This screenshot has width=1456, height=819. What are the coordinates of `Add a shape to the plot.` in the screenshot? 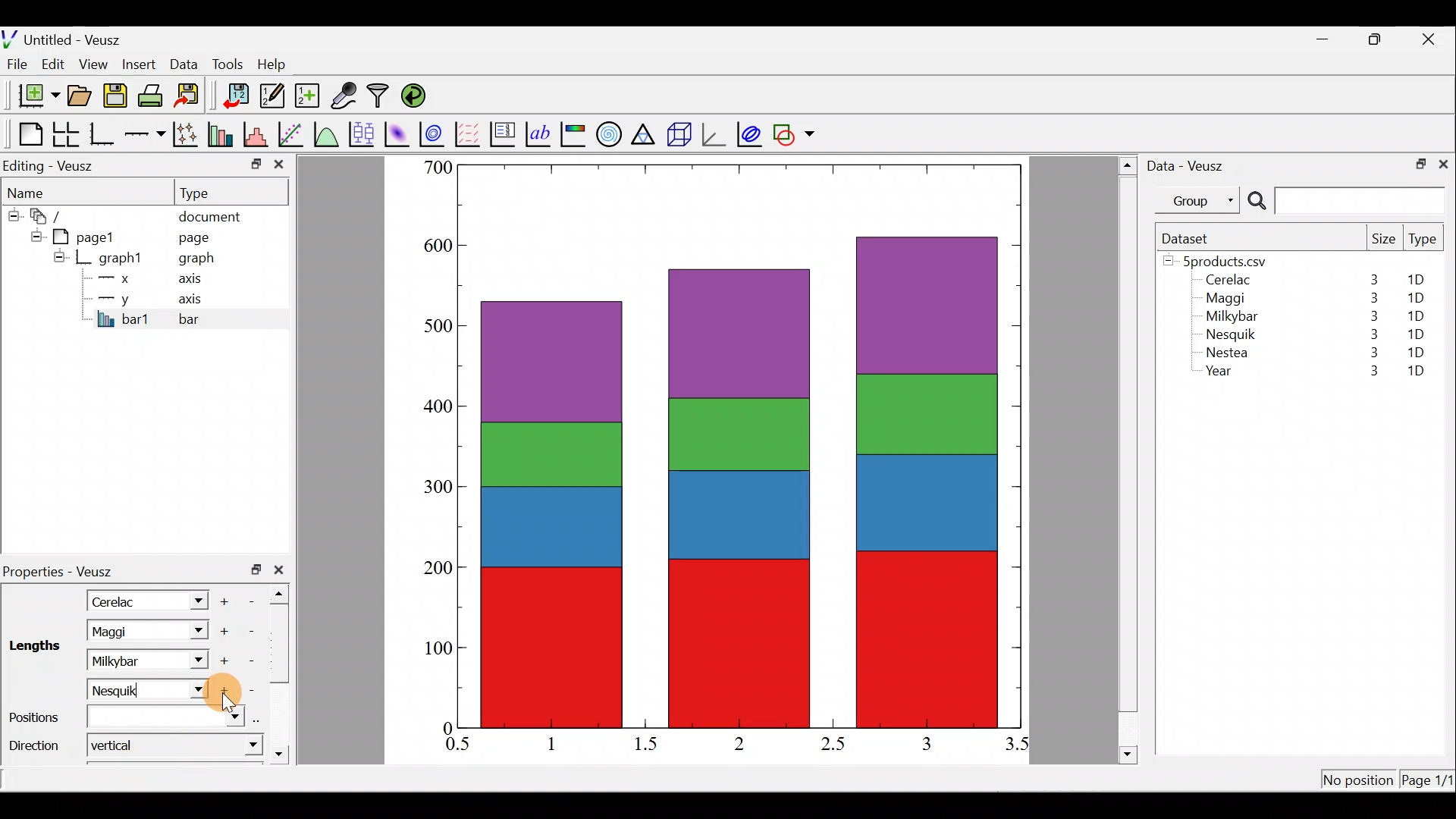 It's located at (795, 132).